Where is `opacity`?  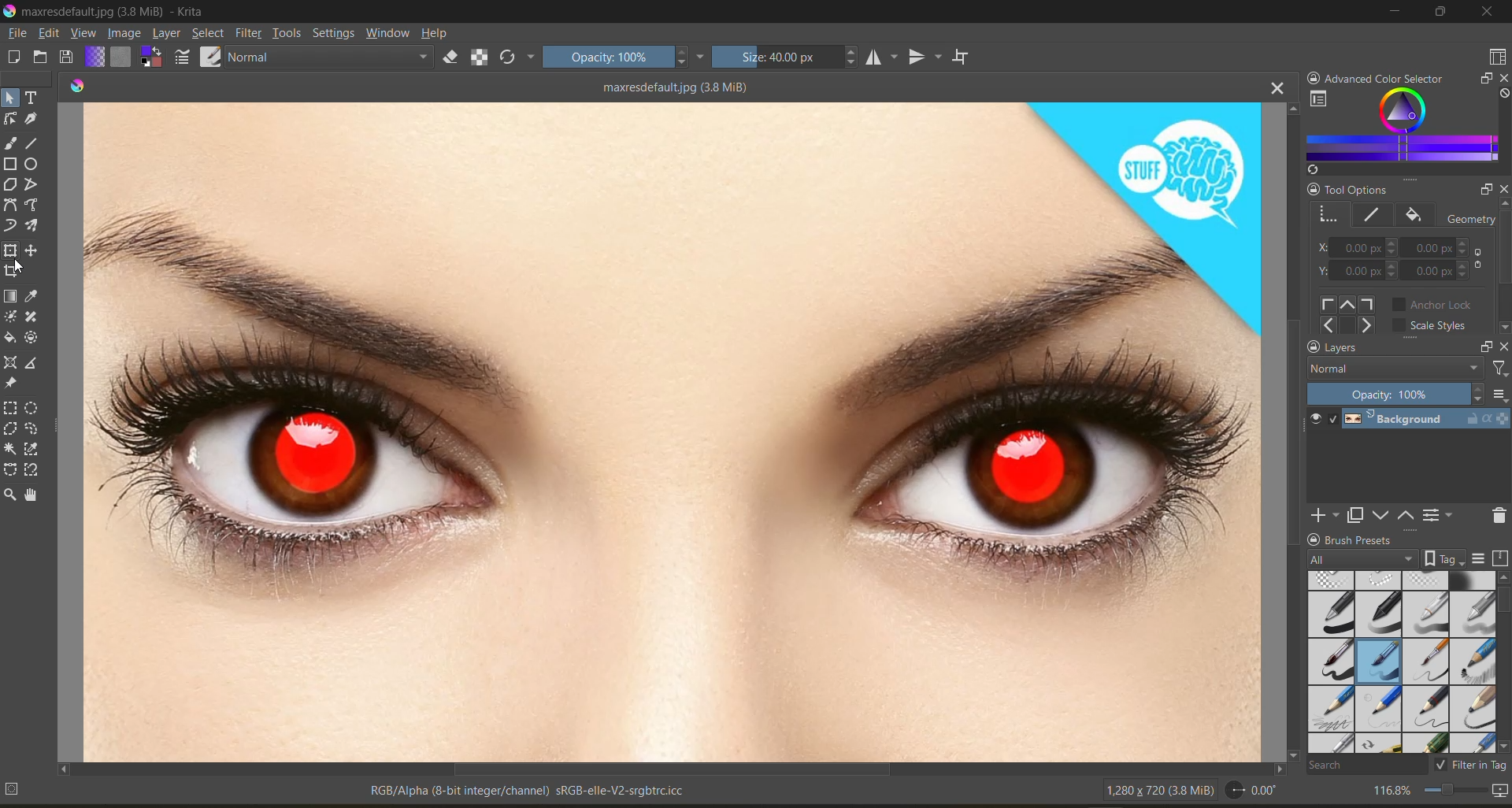 opacity is located at coordinates (1397, 394).